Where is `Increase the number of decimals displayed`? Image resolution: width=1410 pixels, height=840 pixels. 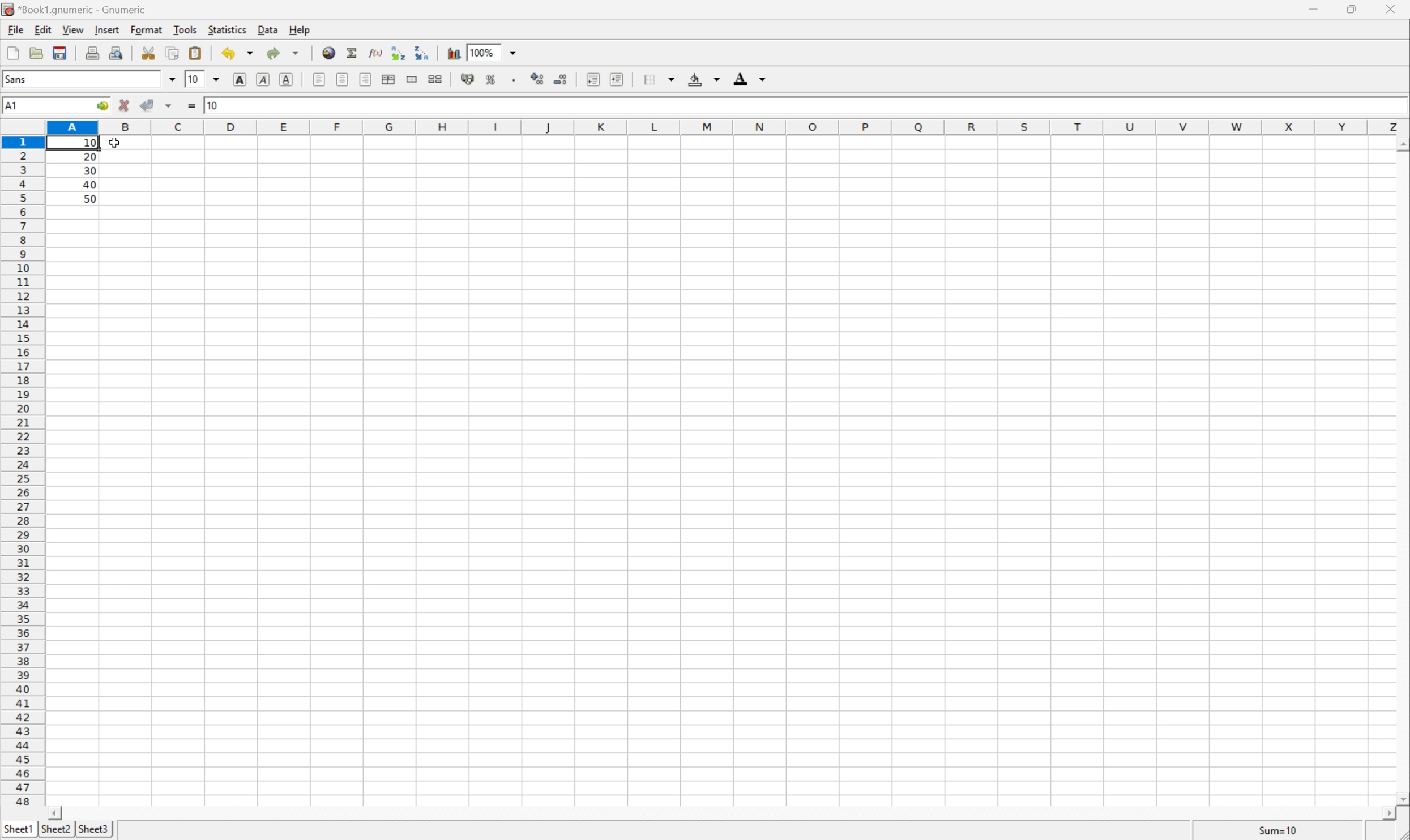
Increase the number of decimals displayed is located at coordinates (536, 78).